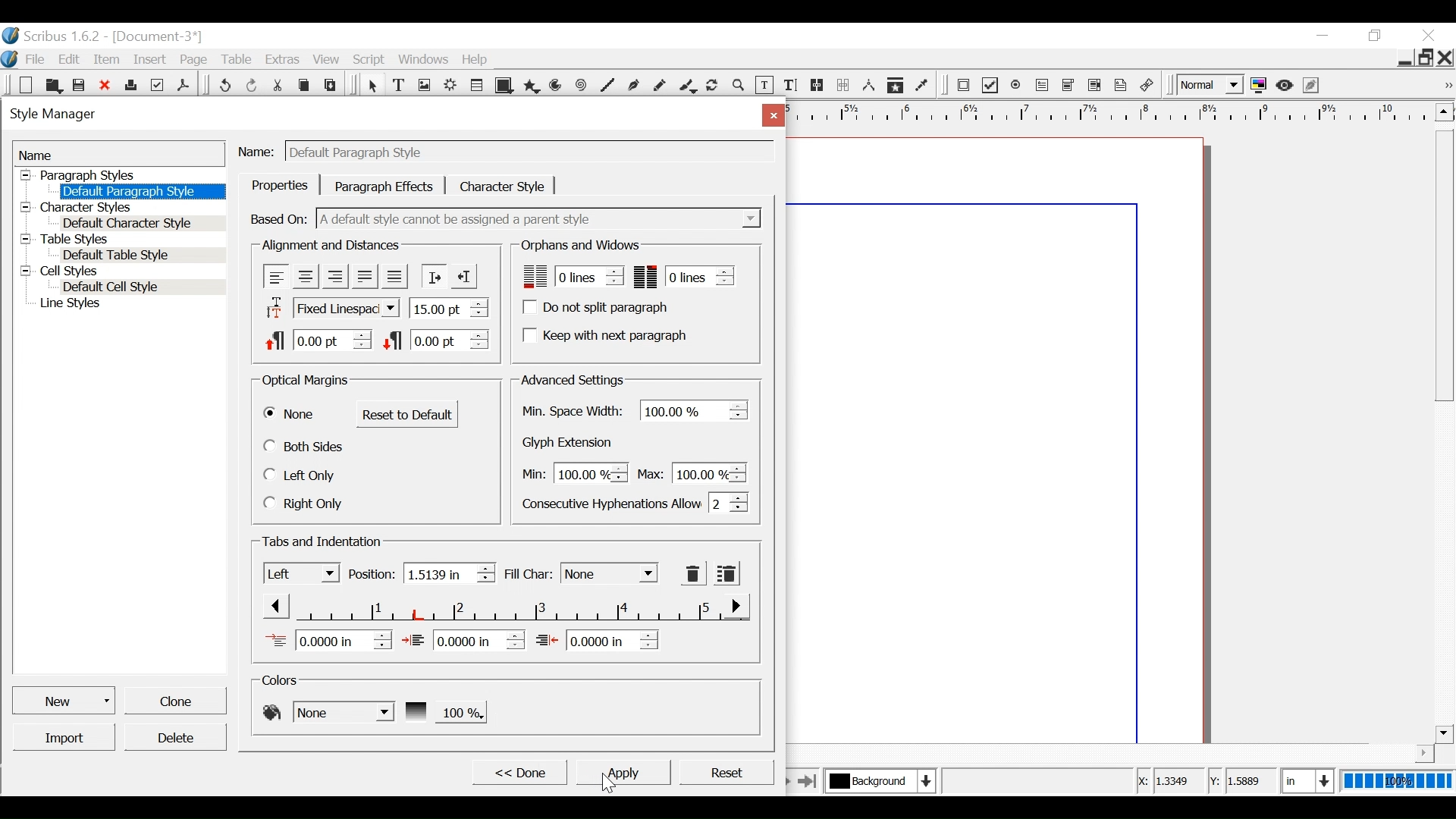 Image resolution: width=1456 pixels, height=819 pixels. What do you see at coordinates (224, 83) in the screenshot?
I see `undo` at bounding box center [224, 83].